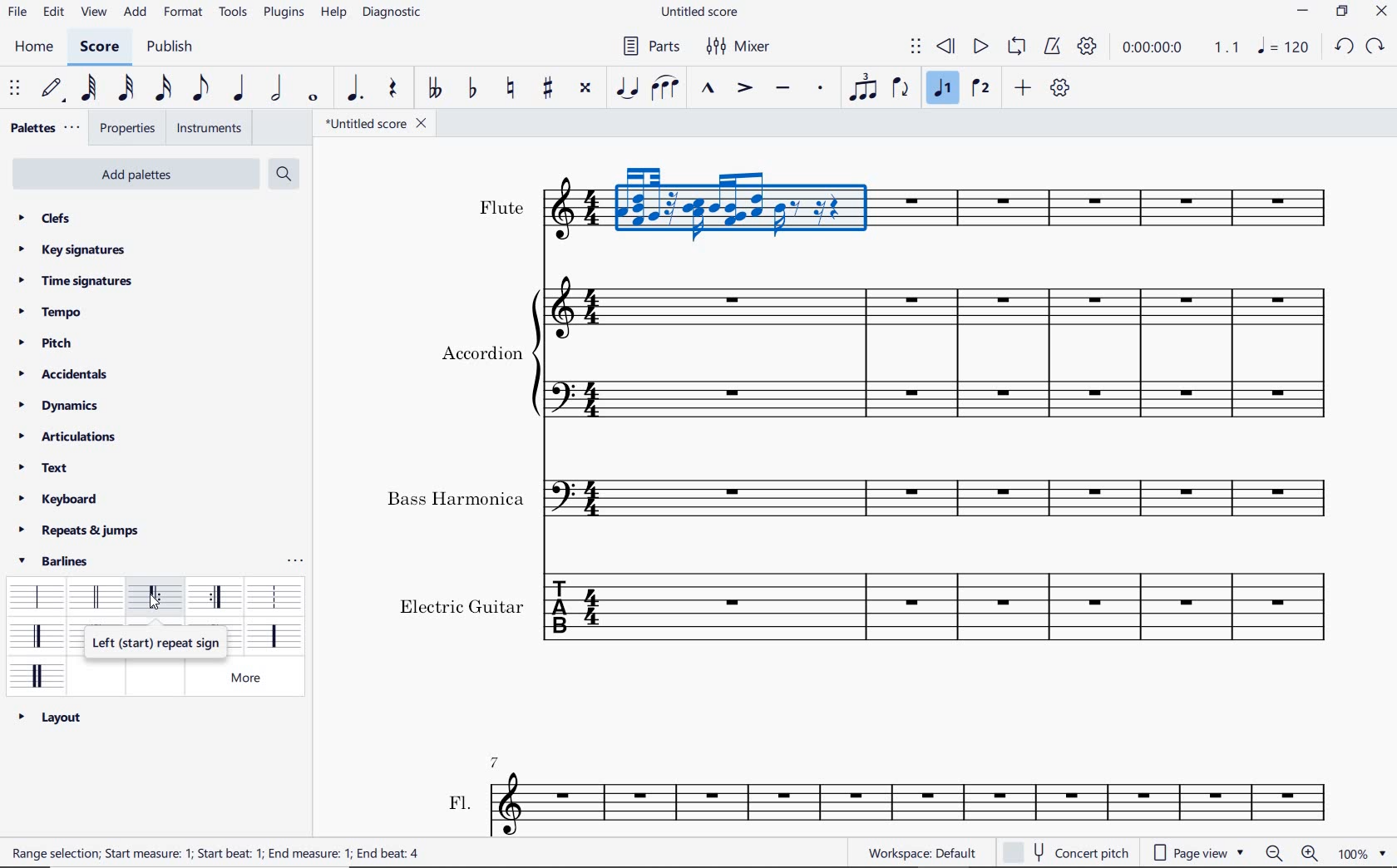 The height and width of the screenshot is (868, 1397). What do you see at coordinates (52, 14) in the screenshot?
I see `edit` at bounding box center [52, 14].